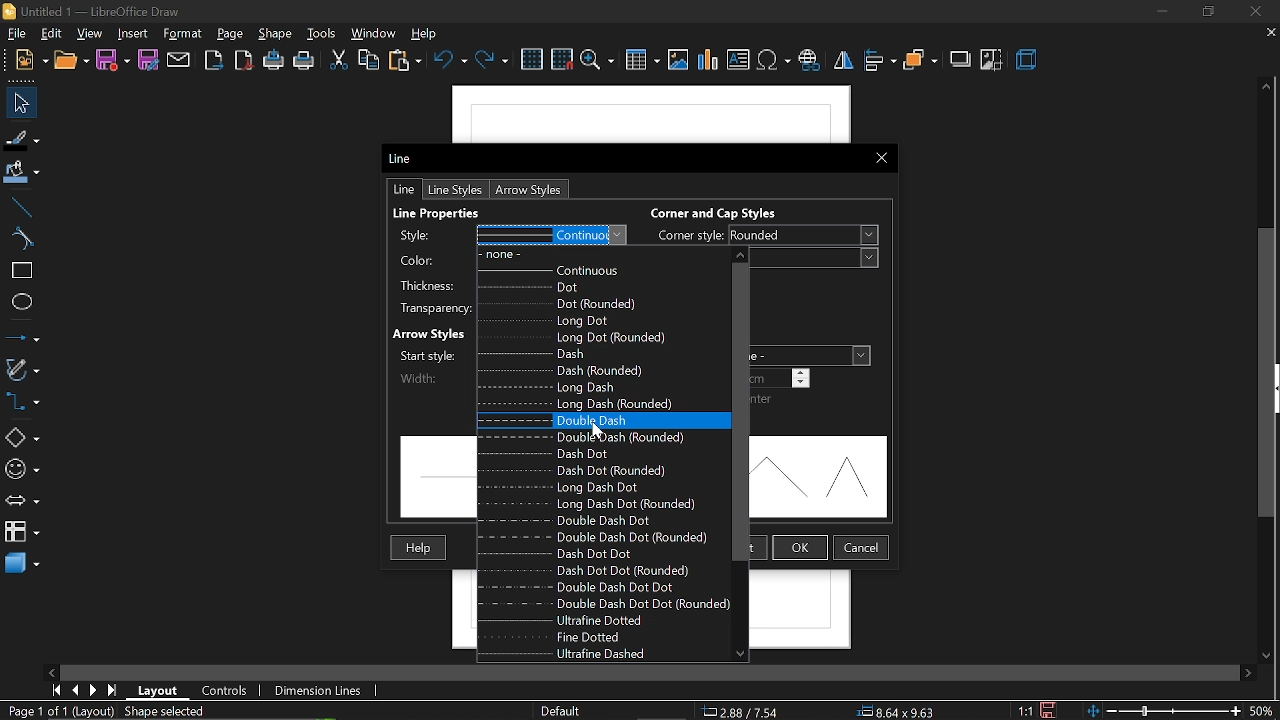 Image resolution: width=1280 pixels, height=720 pixels. Describe the element at coordinates (406, 159) in the screenshot. I see `Line` at that location.